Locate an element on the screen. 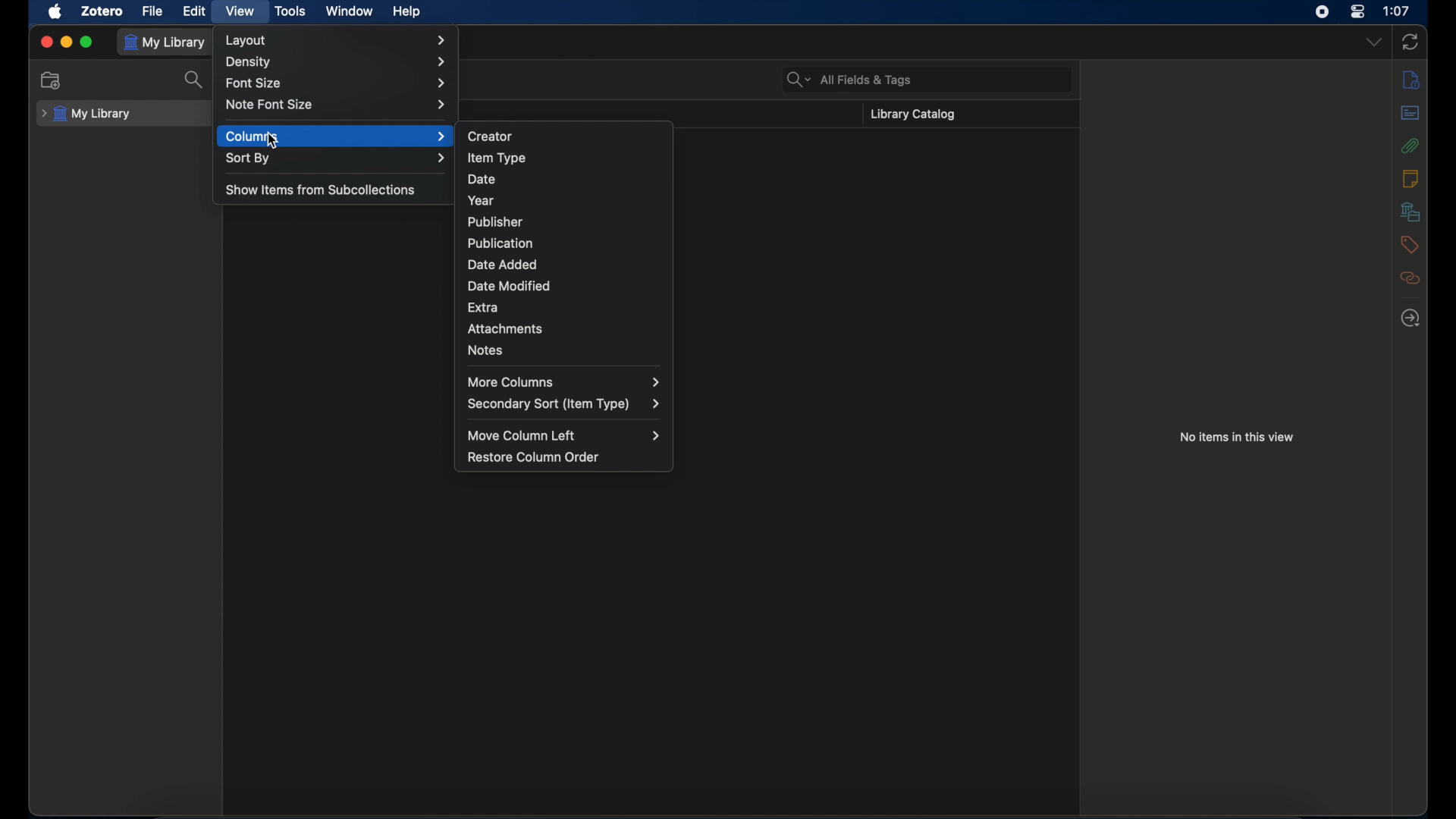 The width and height of the screenshot is (1456, 819). new collection is located at coordinates (50, 80).